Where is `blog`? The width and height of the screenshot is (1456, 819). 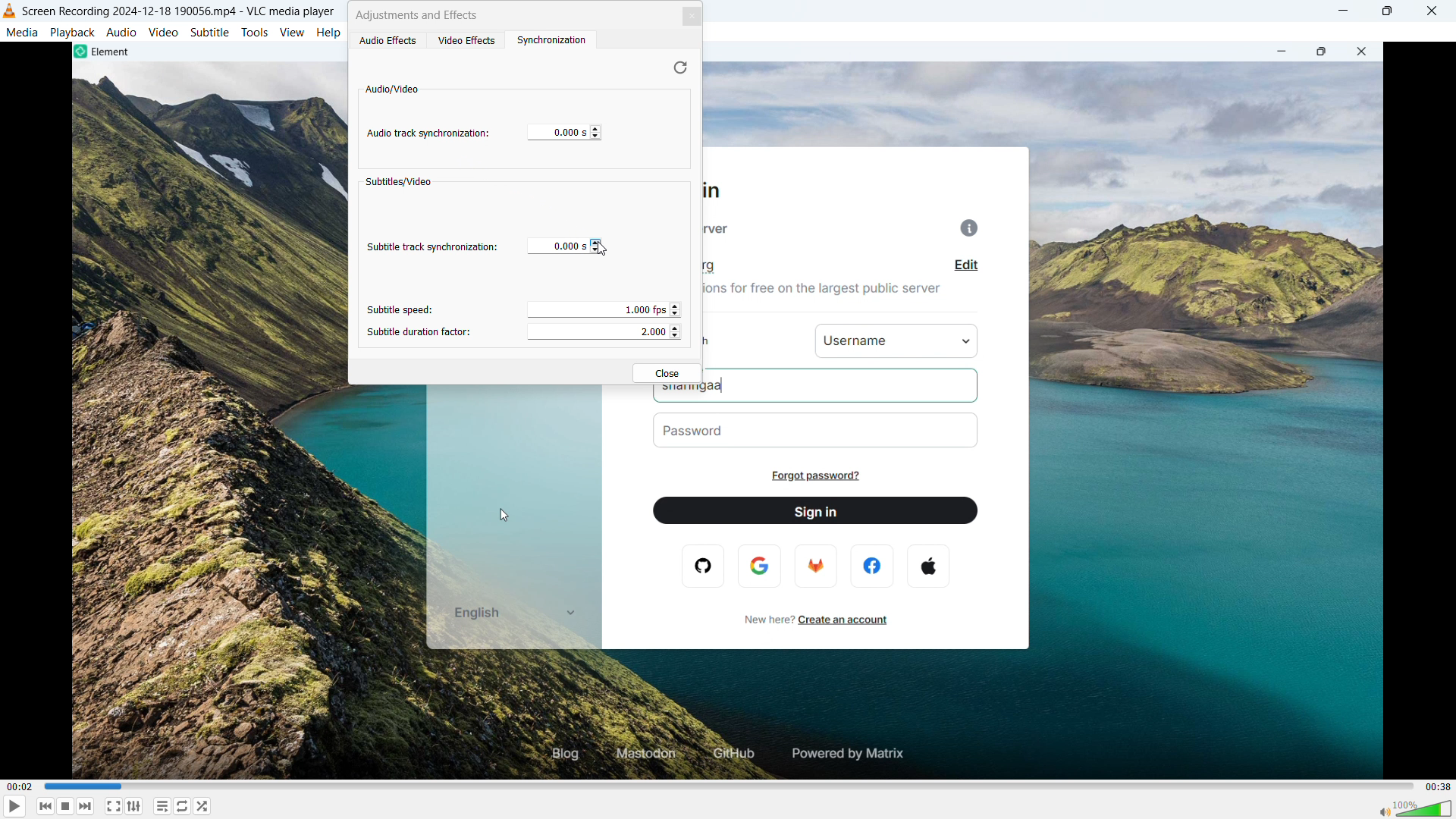 blog is located at coordinates (570, 758).